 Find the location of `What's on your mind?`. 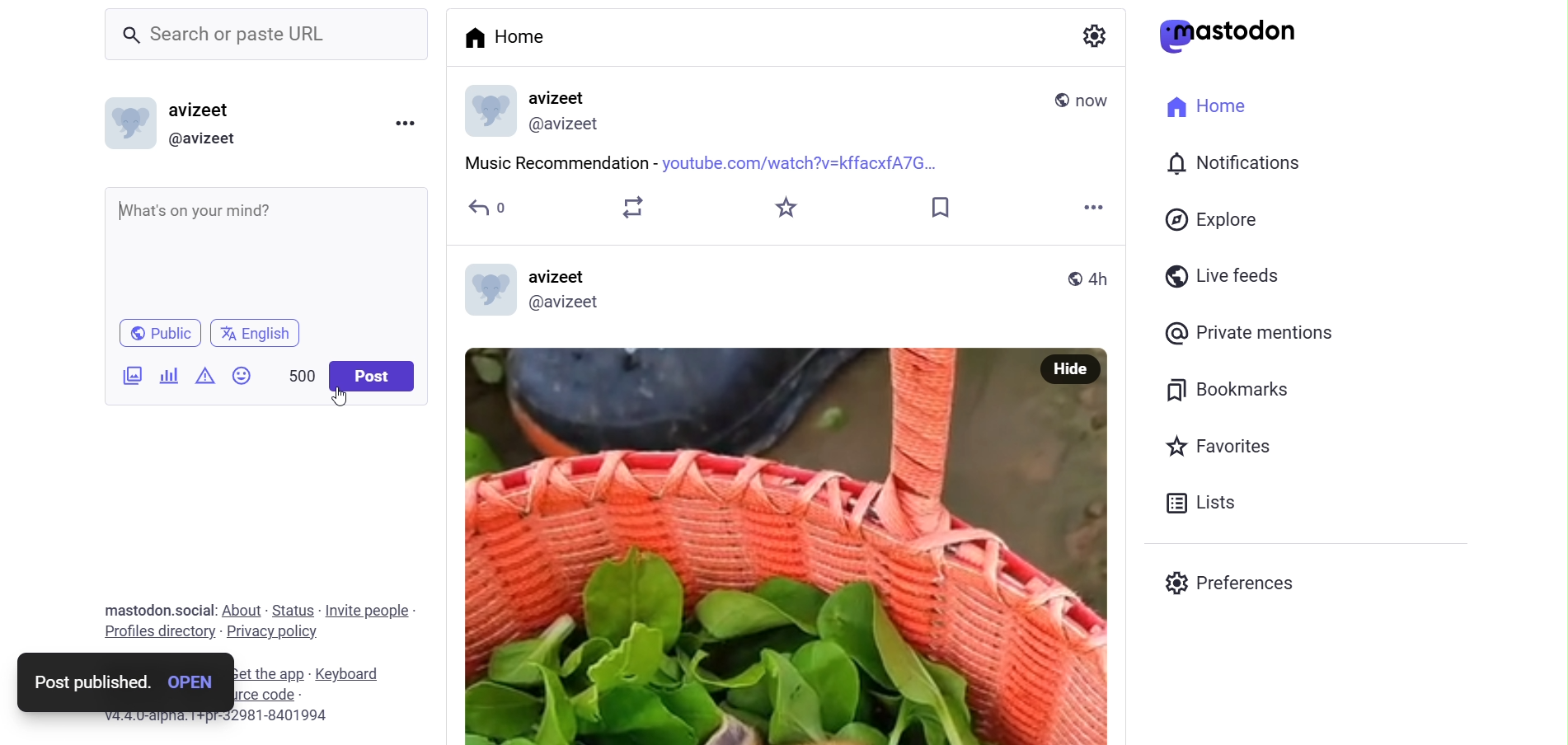

What's on your mind? is located at coordinates (269, 246).